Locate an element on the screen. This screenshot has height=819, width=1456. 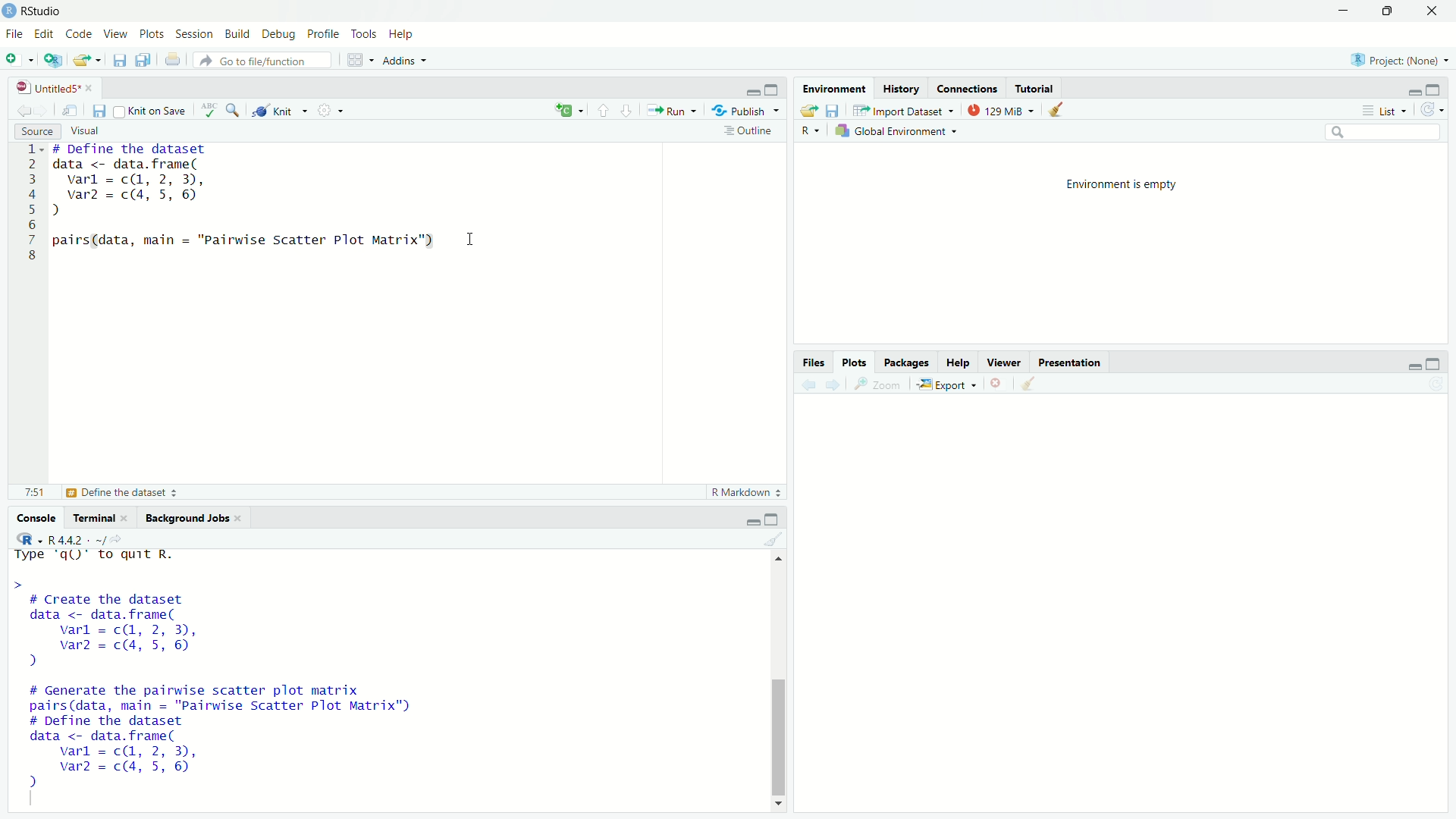
Presentation is located at coordinates (1071, 362).